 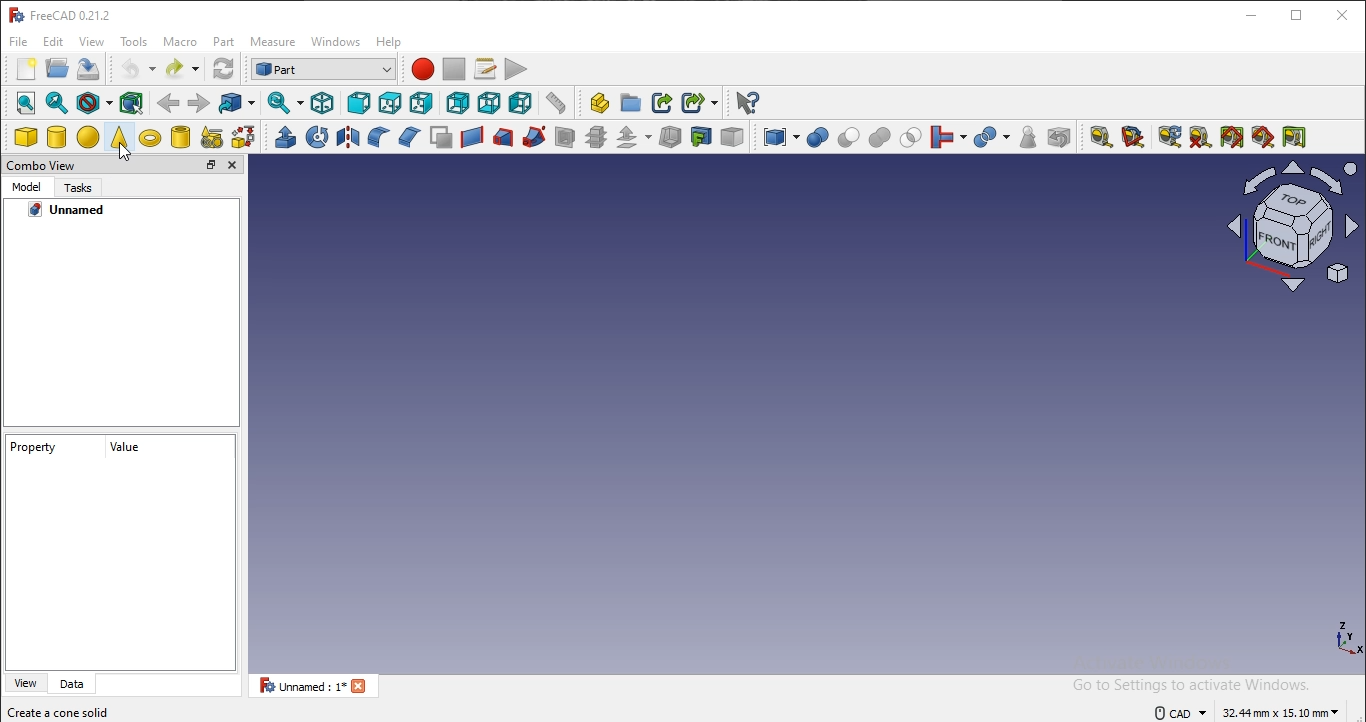 I want to click on close, so click(x=1343, y=14).